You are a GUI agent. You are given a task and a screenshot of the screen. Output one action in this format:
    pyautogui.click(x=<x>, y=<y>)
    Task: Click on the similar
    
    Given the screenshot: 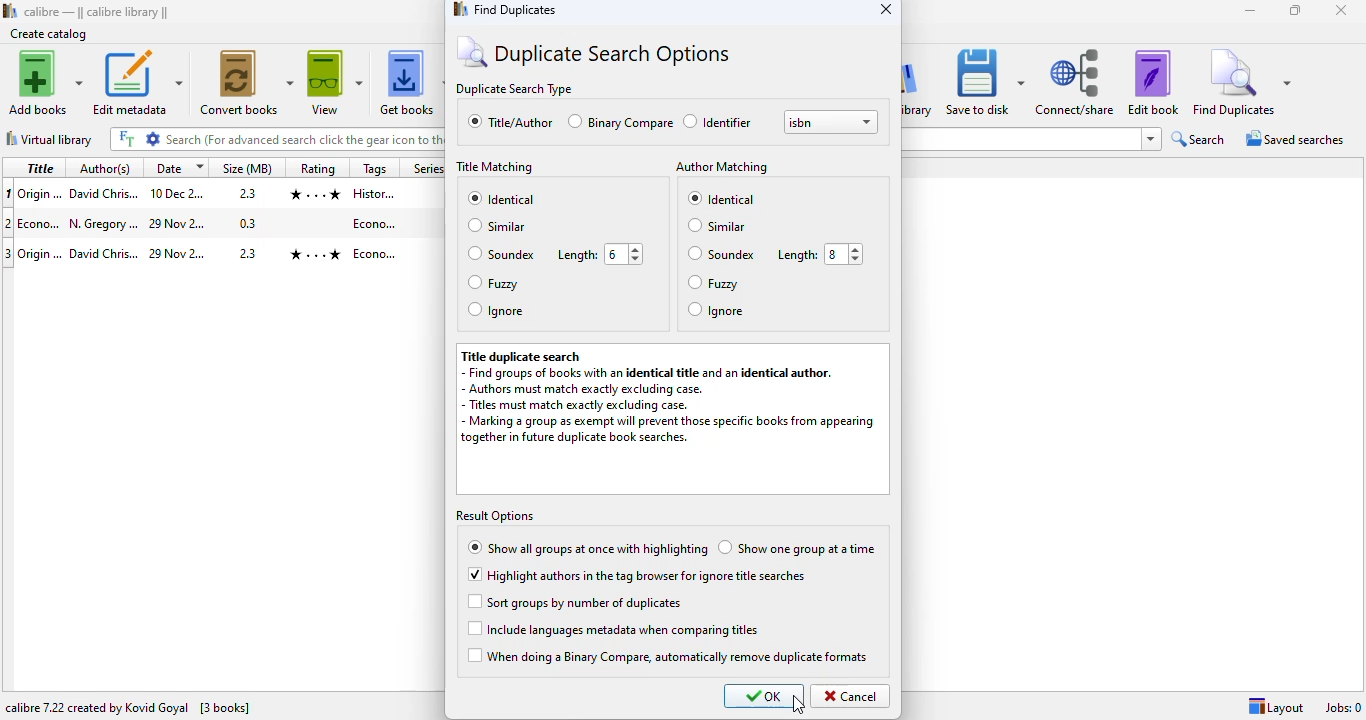 What is the action you would take?
    pyautogui.click(x=719, y=226)
    